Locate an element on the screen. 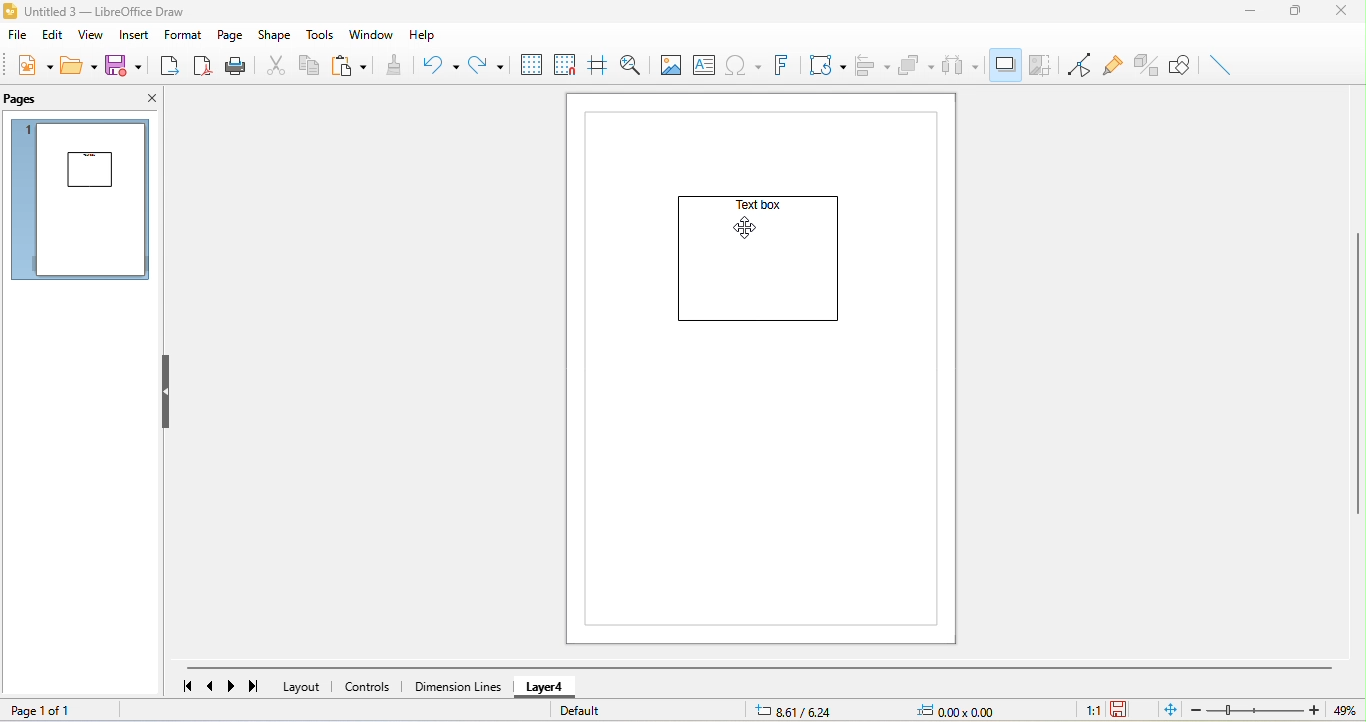  show draw function is located at coordinates (1185, 65).